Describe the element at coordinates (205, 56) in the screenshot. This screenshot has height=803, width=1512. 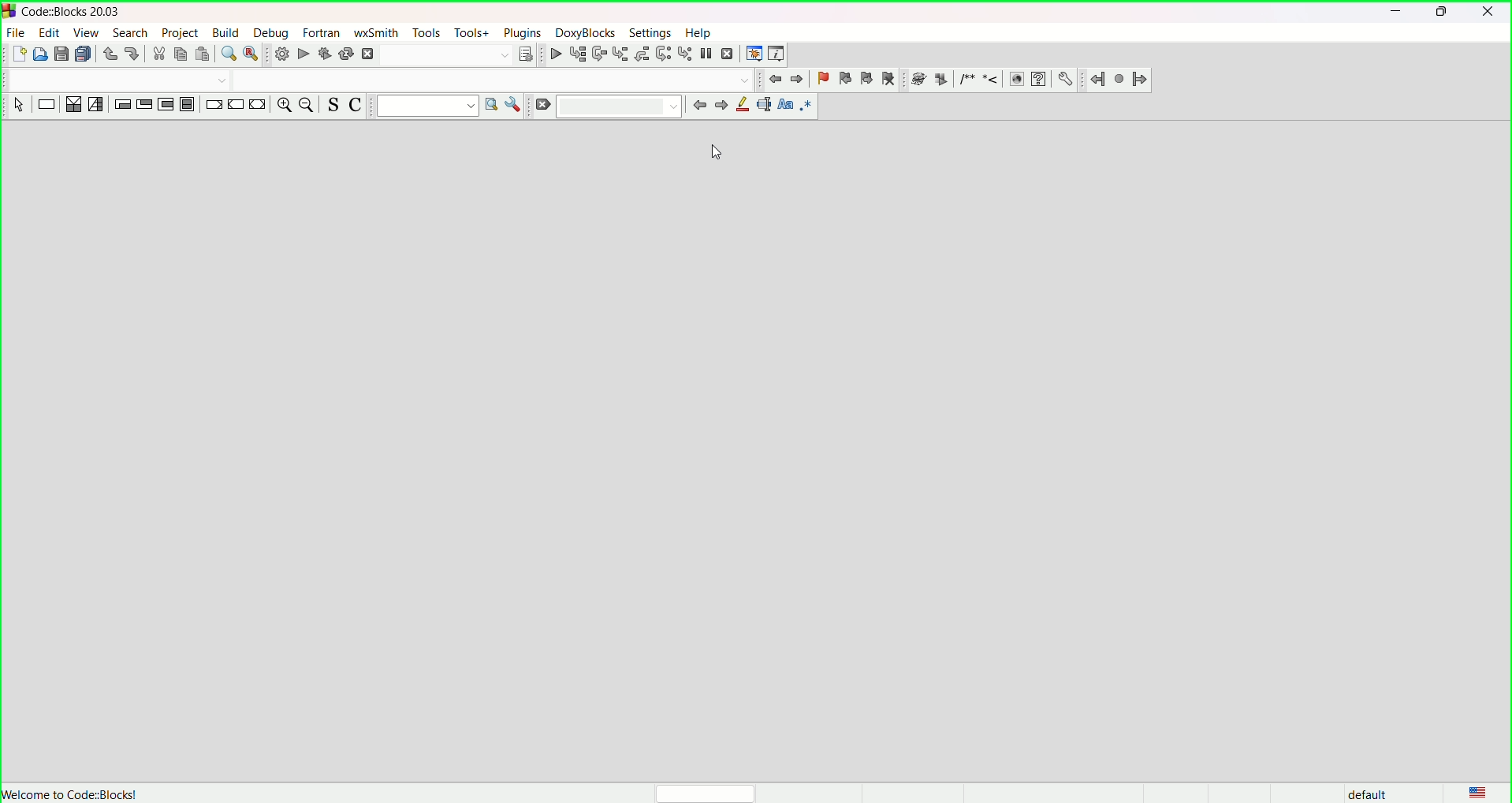
I see `paste` at that location.